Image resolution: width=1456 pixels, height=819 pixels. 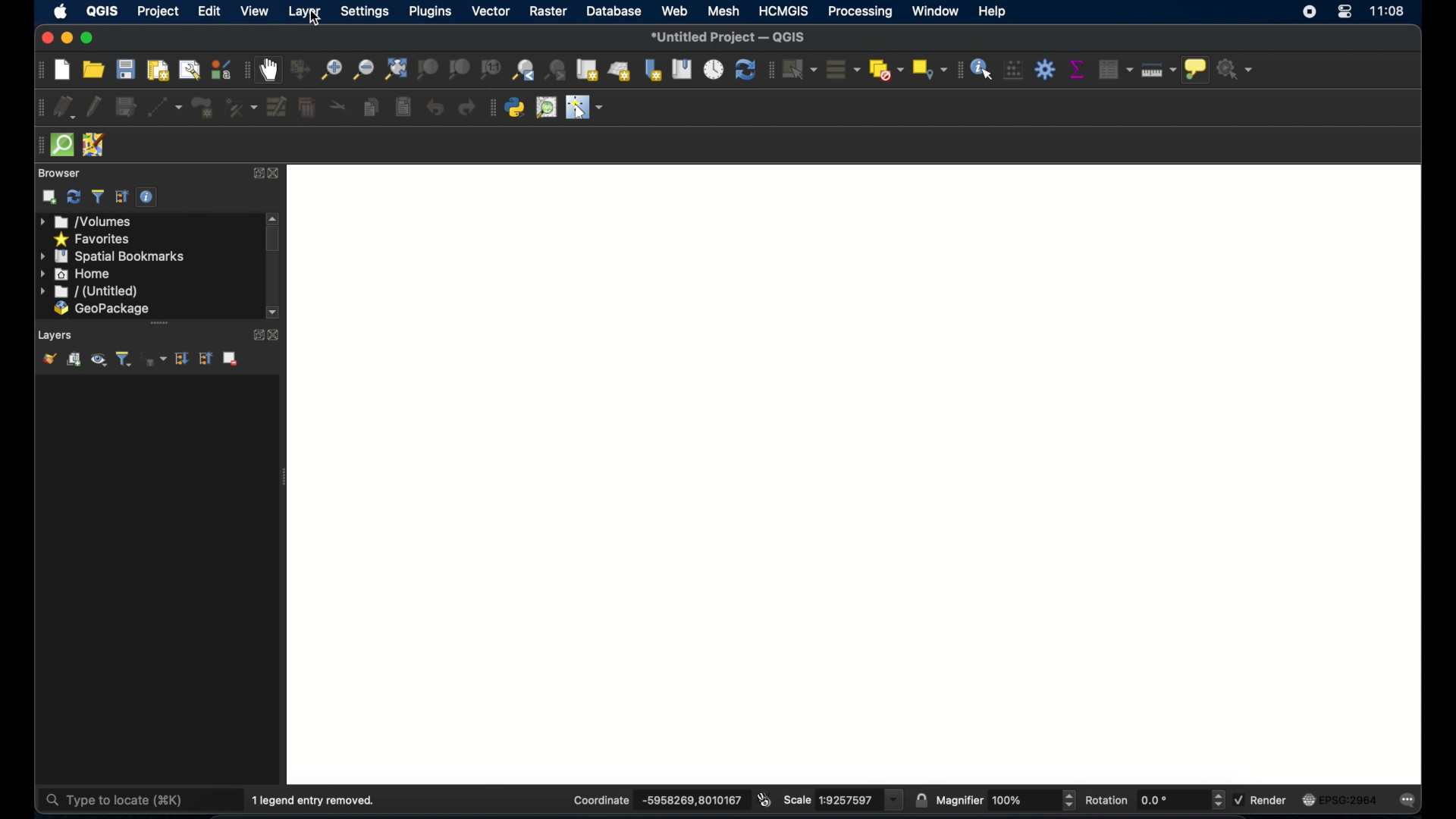 I want to click on Increase or decrease, so click(x=1217, y=800).